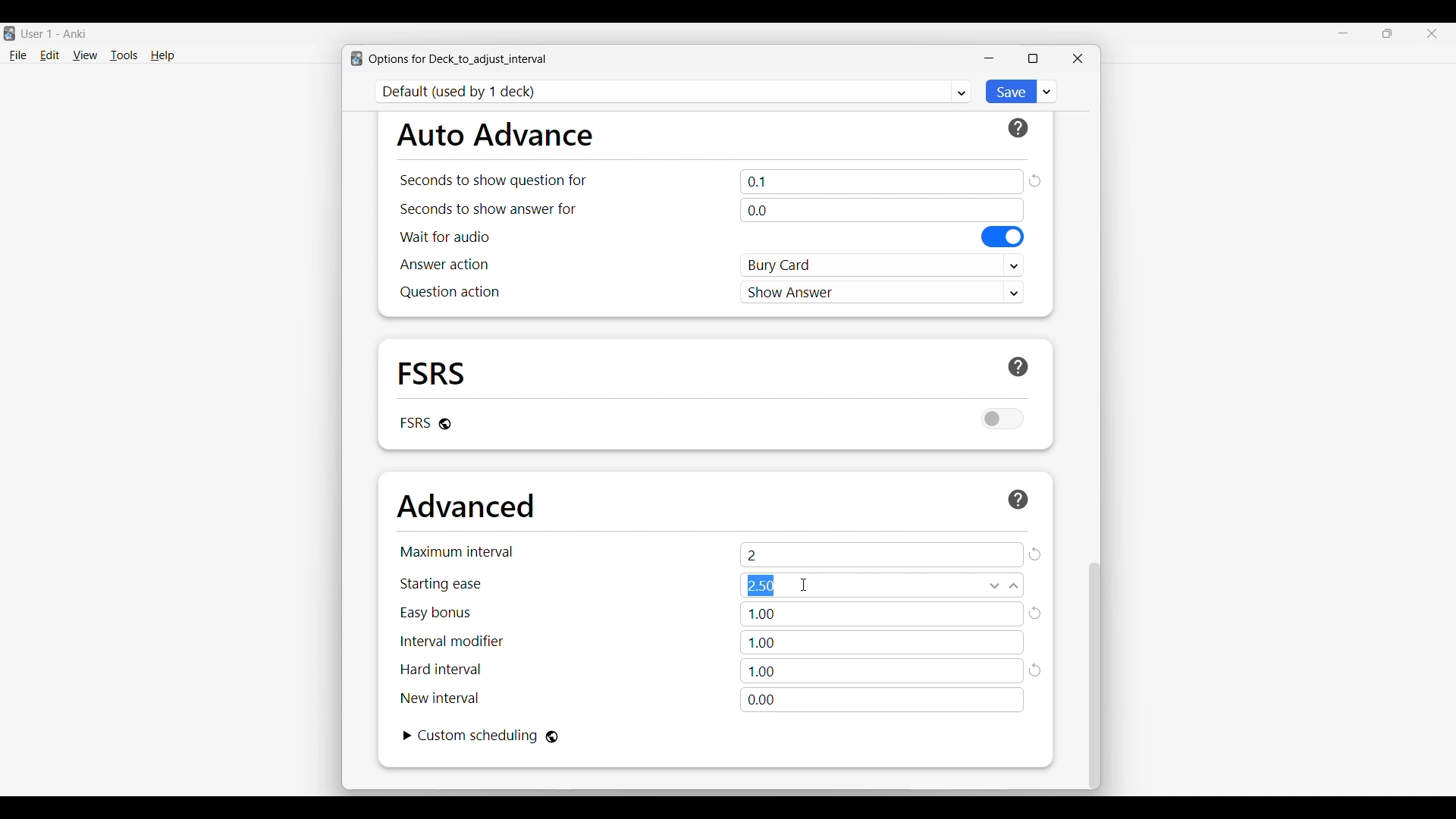 This screenshot has height=819, width=1456. Describe the element at coordinates (444, 264) in the screenshot. I see `Indicates answer action` at that location.